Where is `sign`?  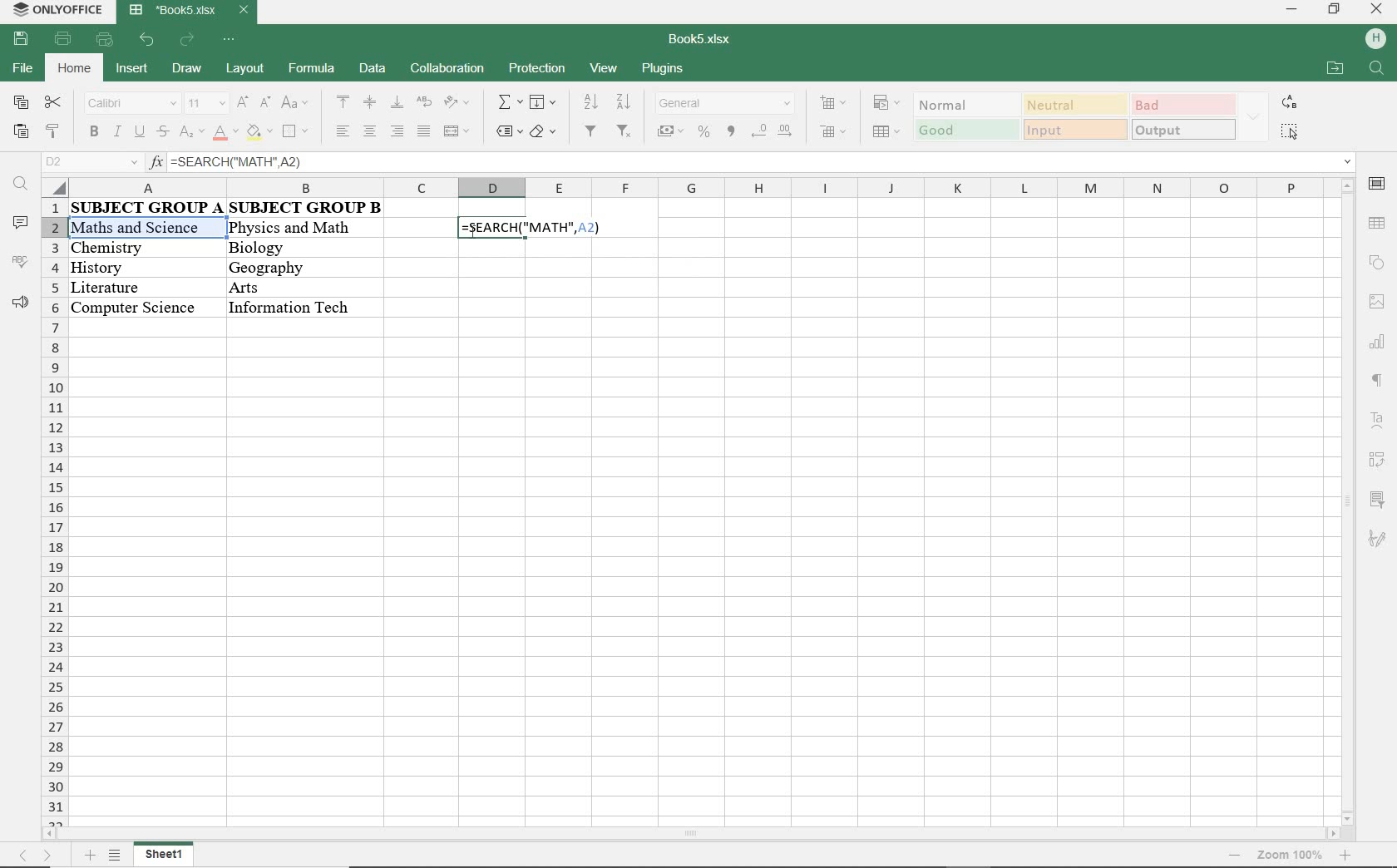 sign is located at coordinates (1377, 36).